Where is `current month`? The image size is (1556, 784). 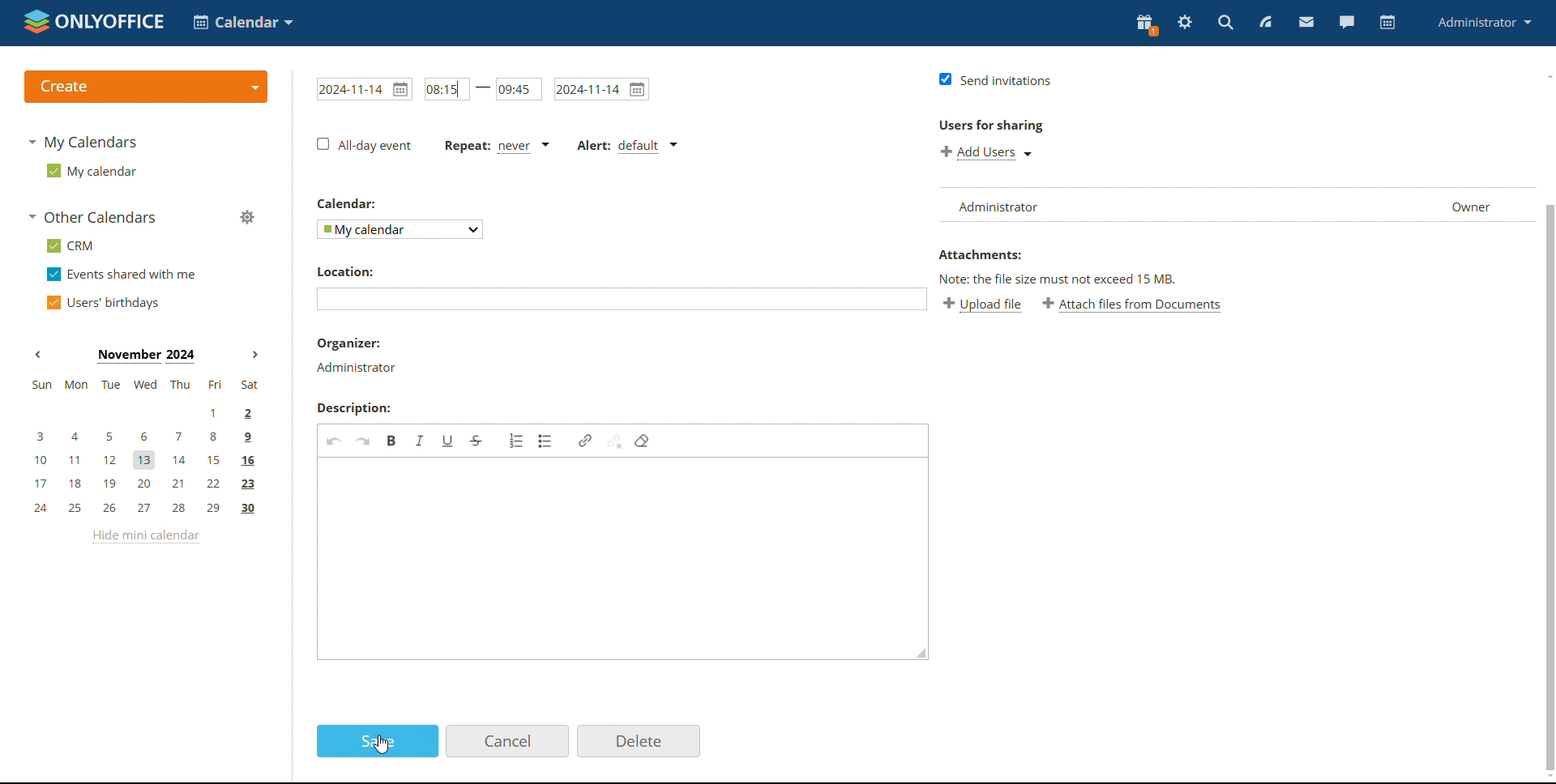 current month is located at coordinates (146, 355).